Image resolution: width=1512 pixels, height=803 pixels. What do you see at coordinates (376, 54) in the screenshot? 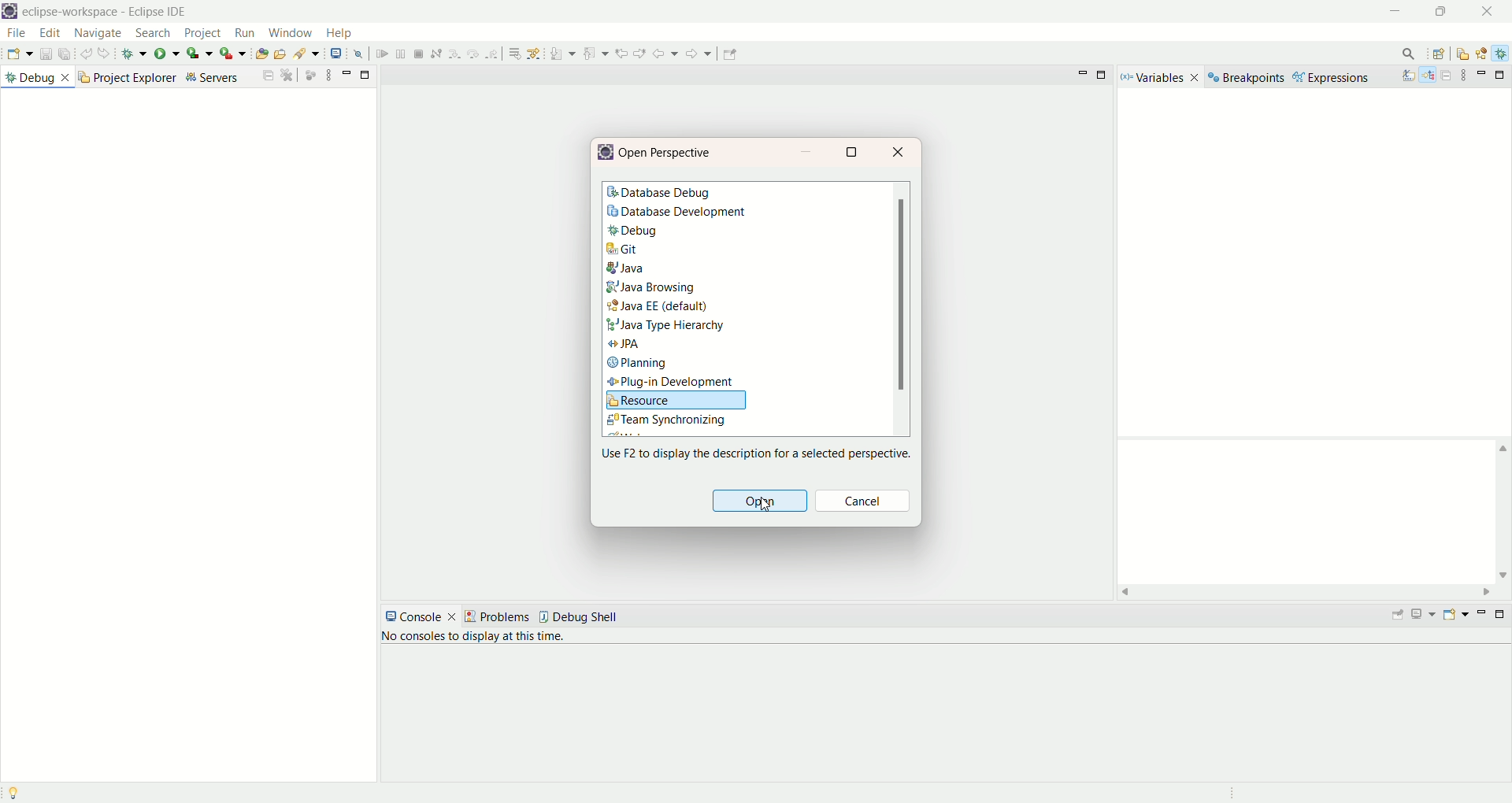
I see `search` at bounding box center [376, 54].